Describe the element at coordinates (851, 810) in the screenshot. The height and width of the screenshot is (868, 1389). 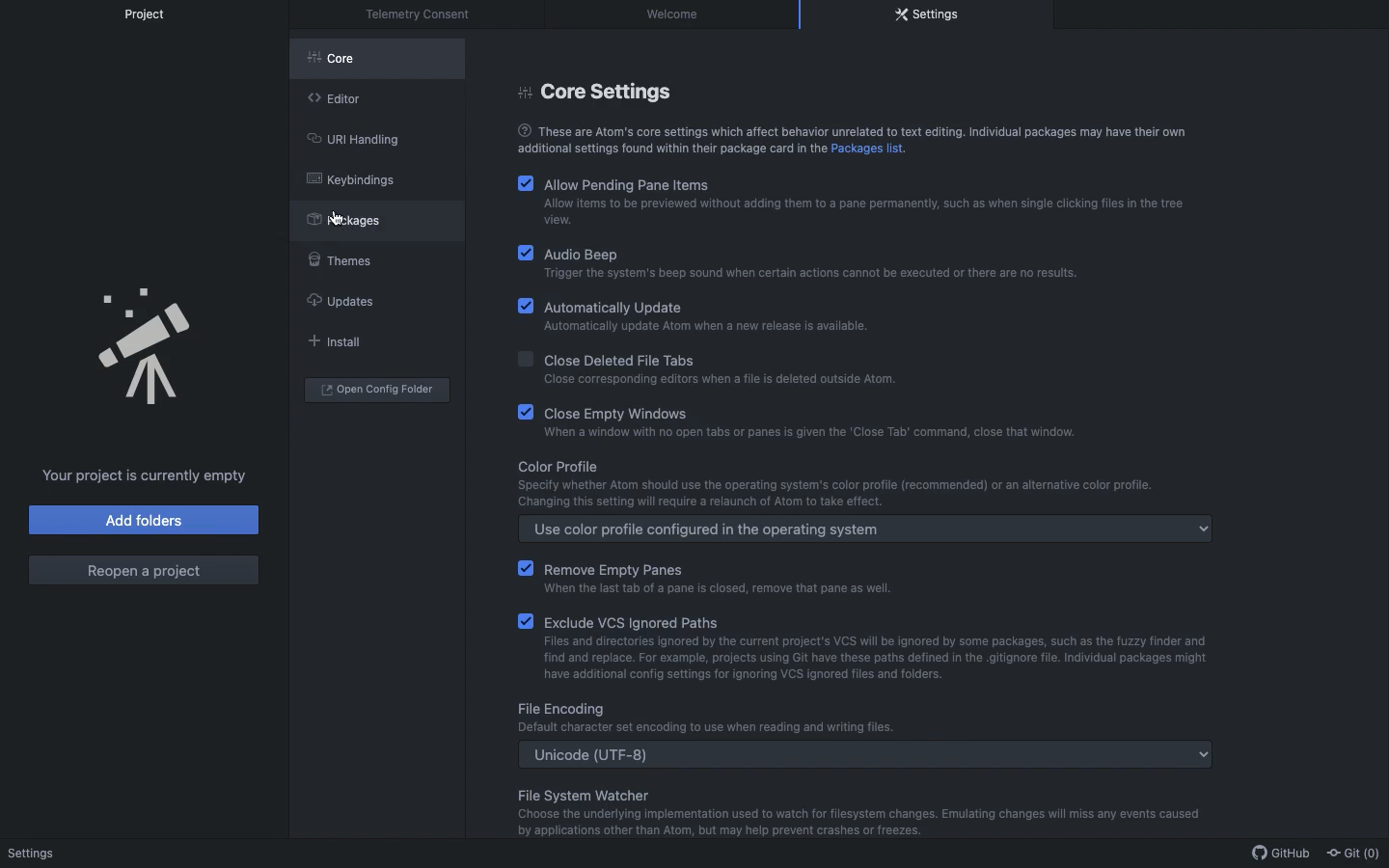
I see `File Encoding. Default character set encoding to use when reading and writing files.` at that location.